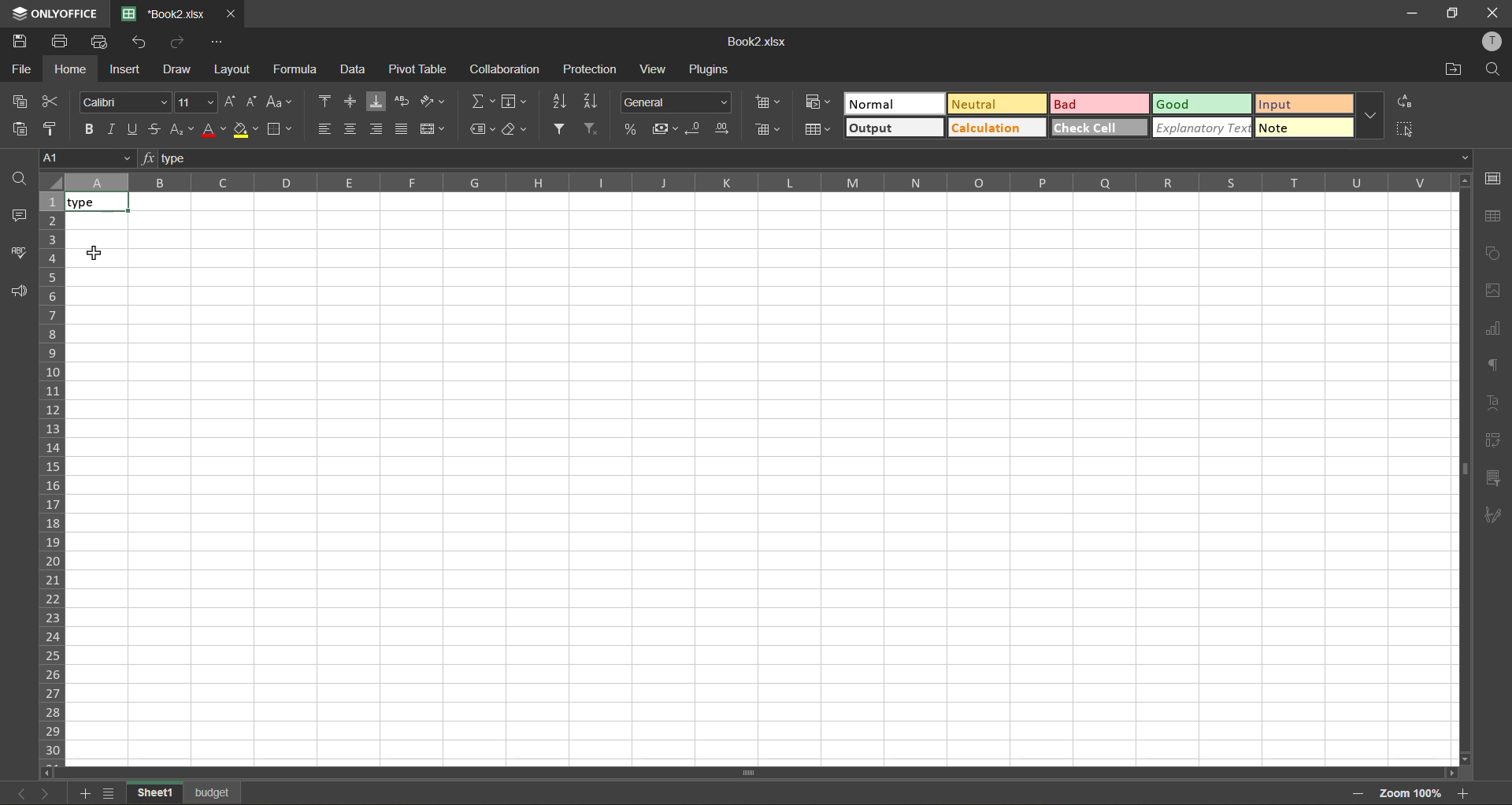  I want to click on replace, so click(1404, 102).